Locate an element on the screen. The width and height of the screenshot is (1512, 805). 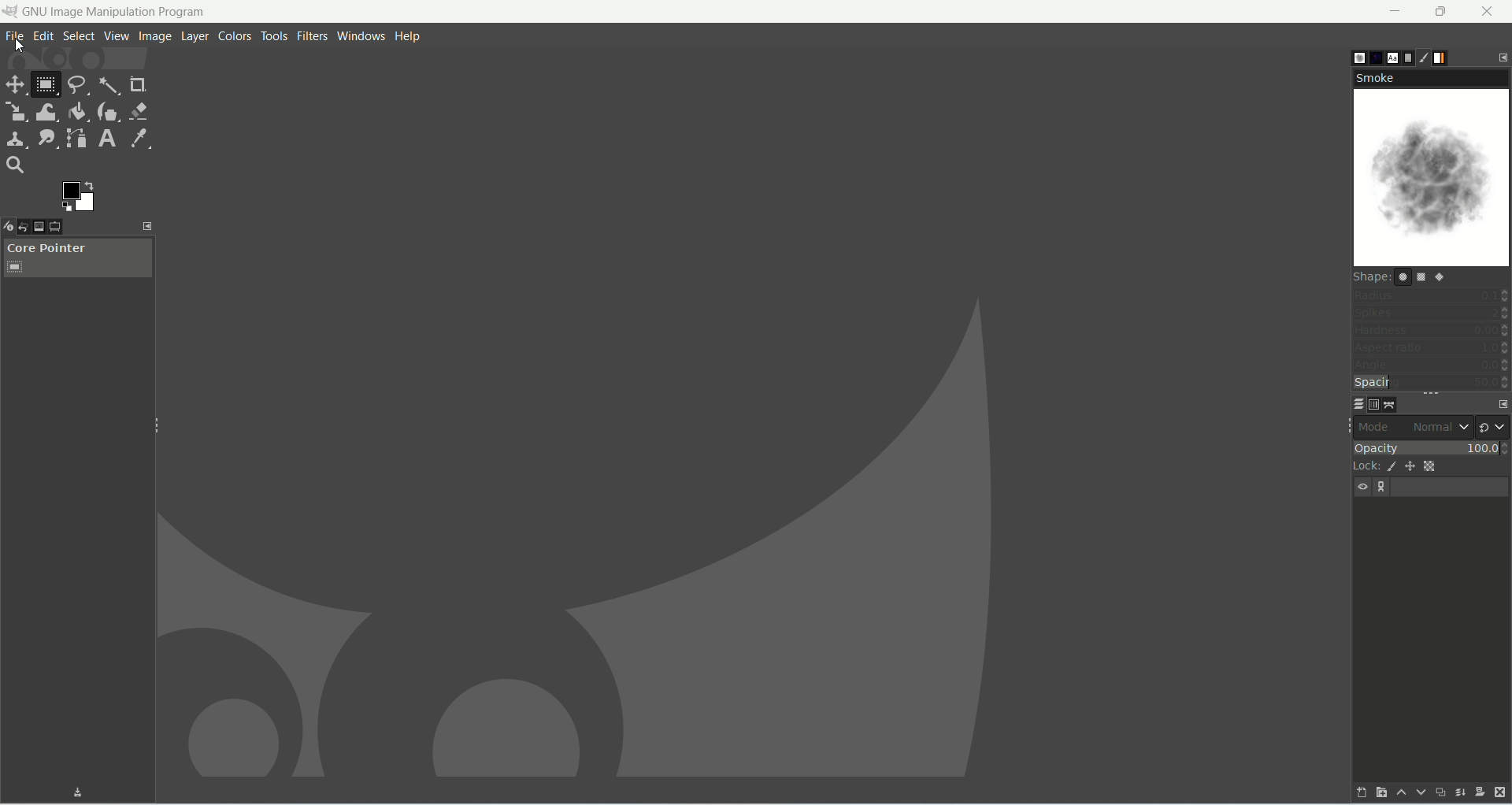
hardness is located at coordinates (1431, 330).